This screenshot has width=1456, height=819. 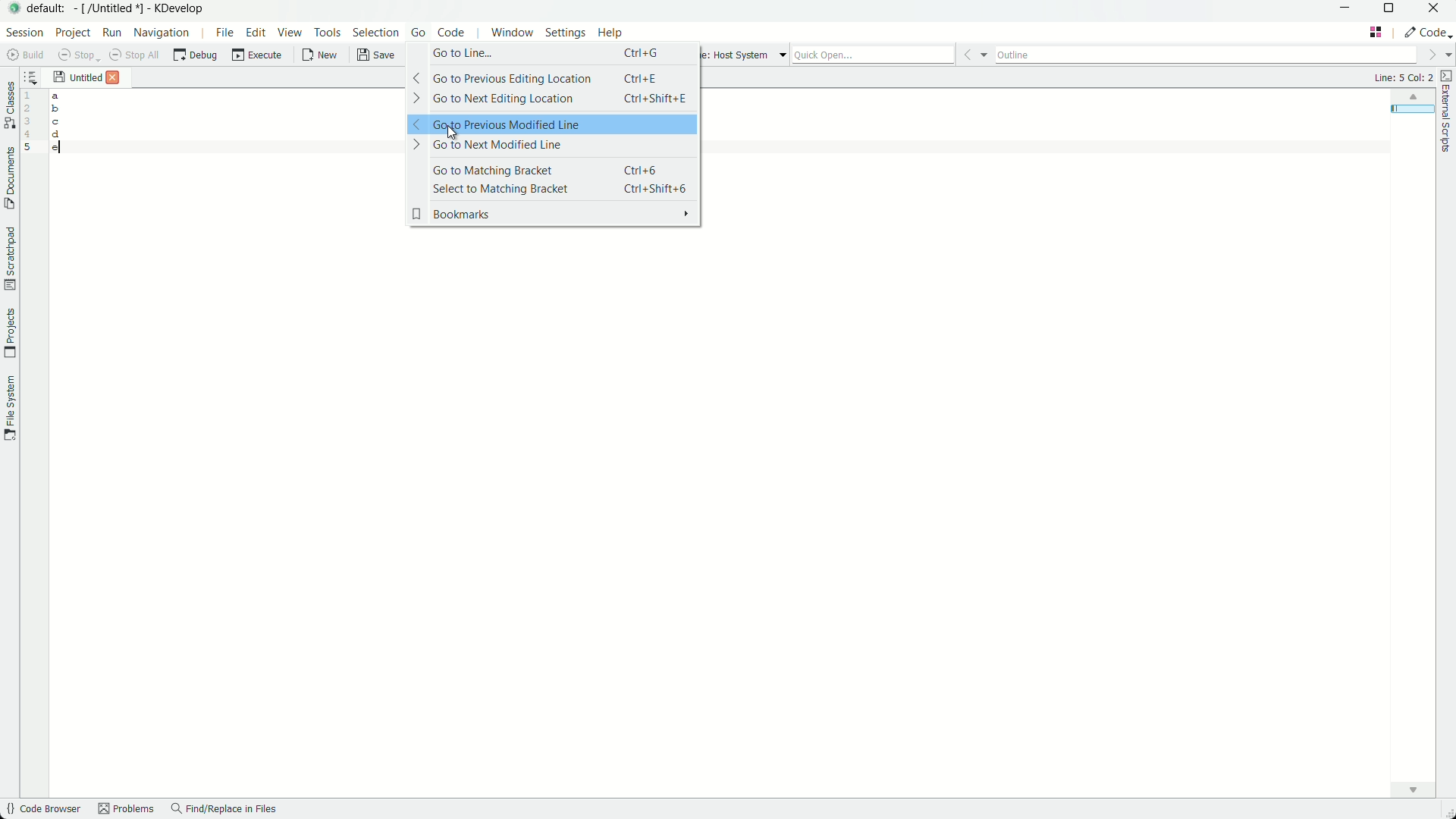 I want to click on selection, so click(x=375, y=35).